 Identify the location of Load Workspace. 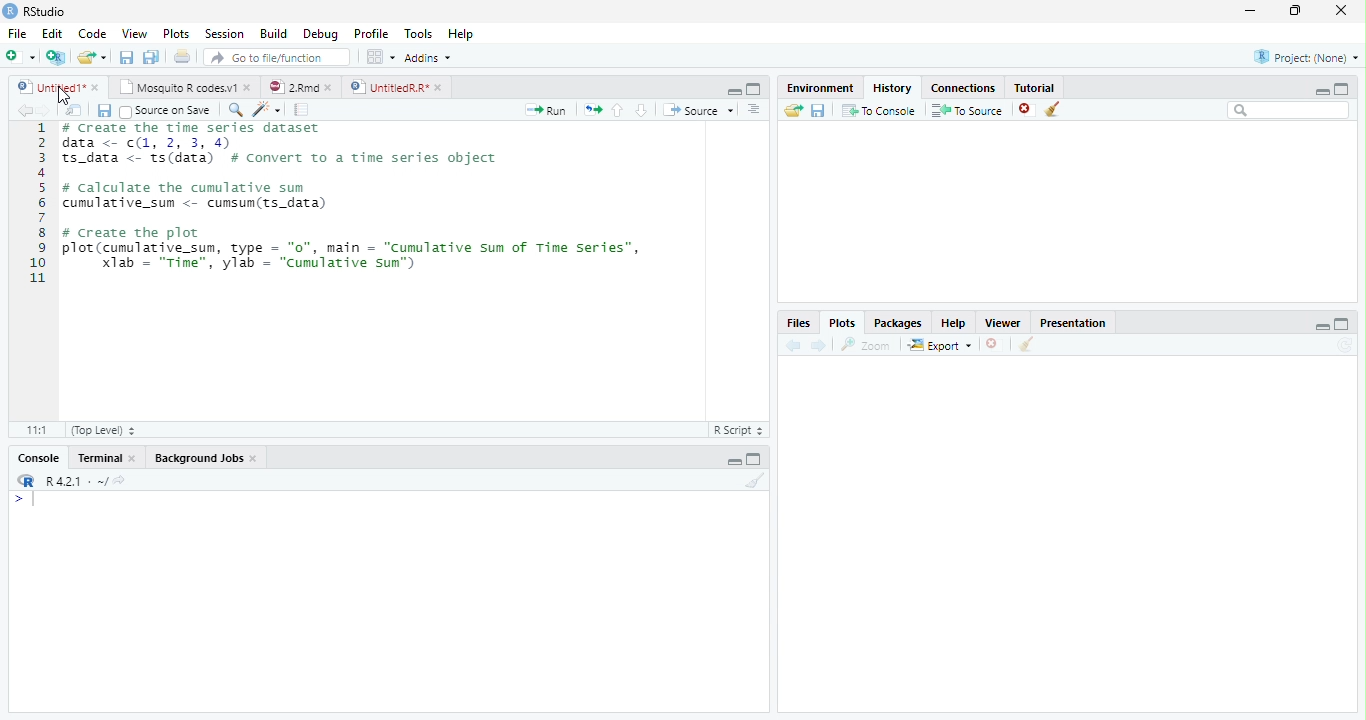
(796, 114).